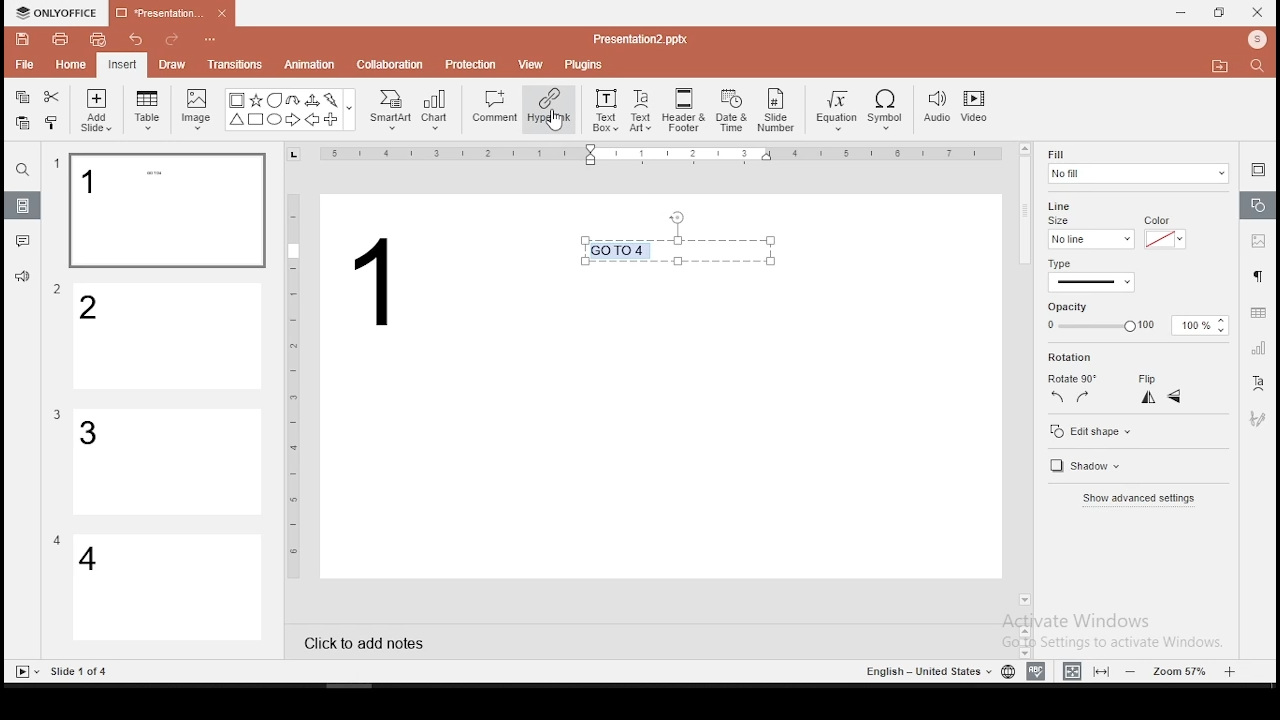 This screenshot has height=720, width=1280. I want to click on Plus, so click(332, 120).